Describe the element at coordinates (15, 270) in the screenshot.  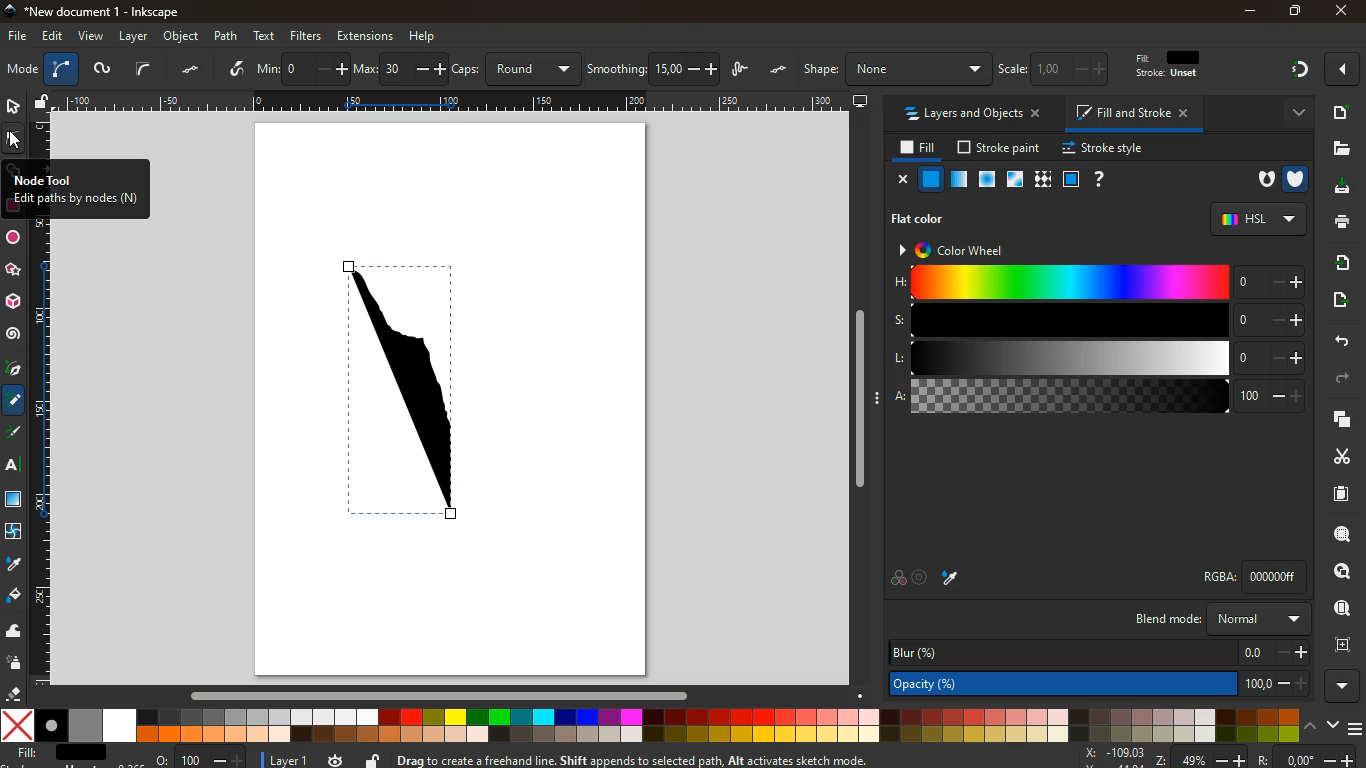
I see `star` at that location.